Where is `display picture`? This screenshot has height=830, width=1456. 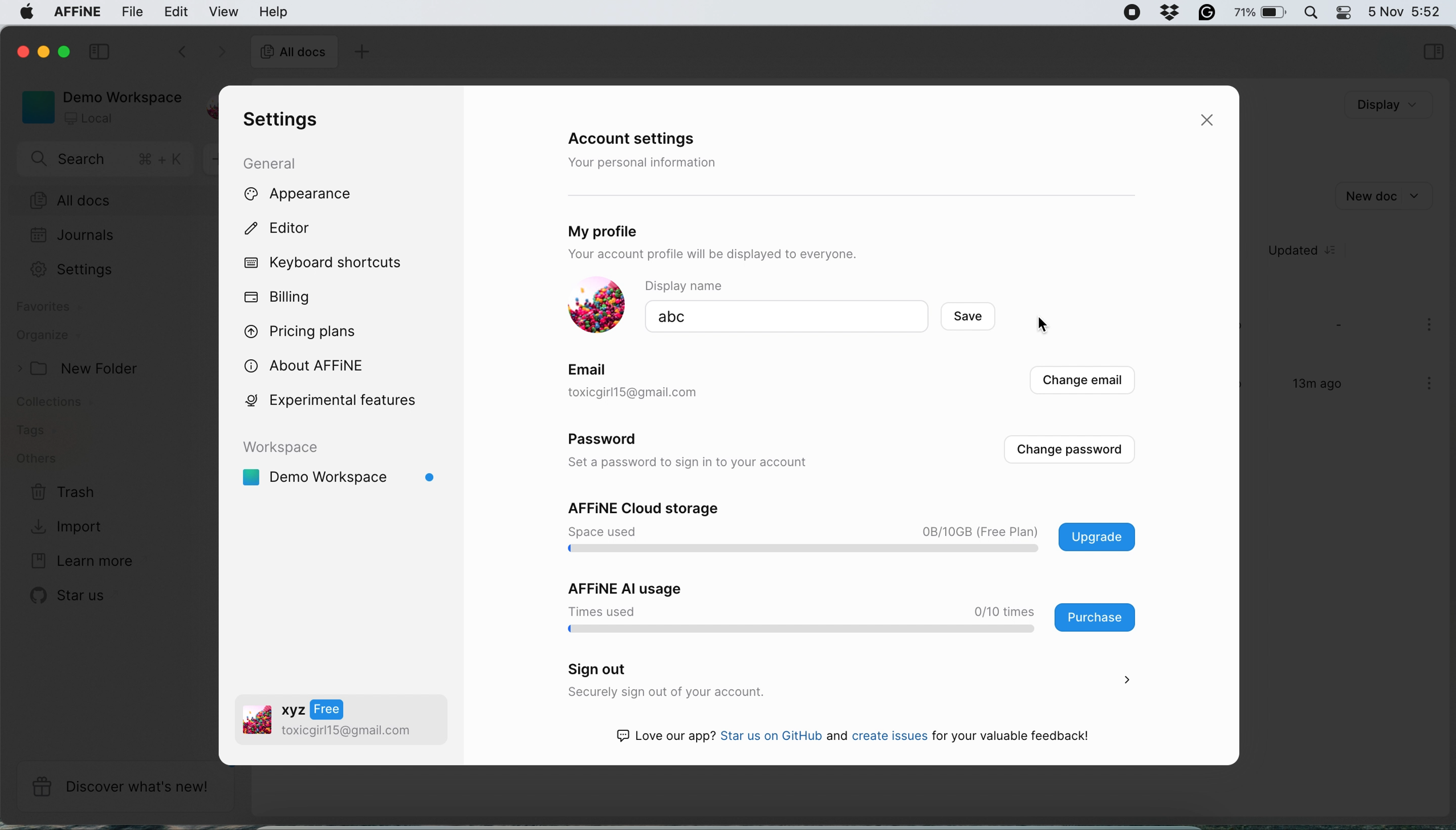 display picture is located at coordinates (591, 306).